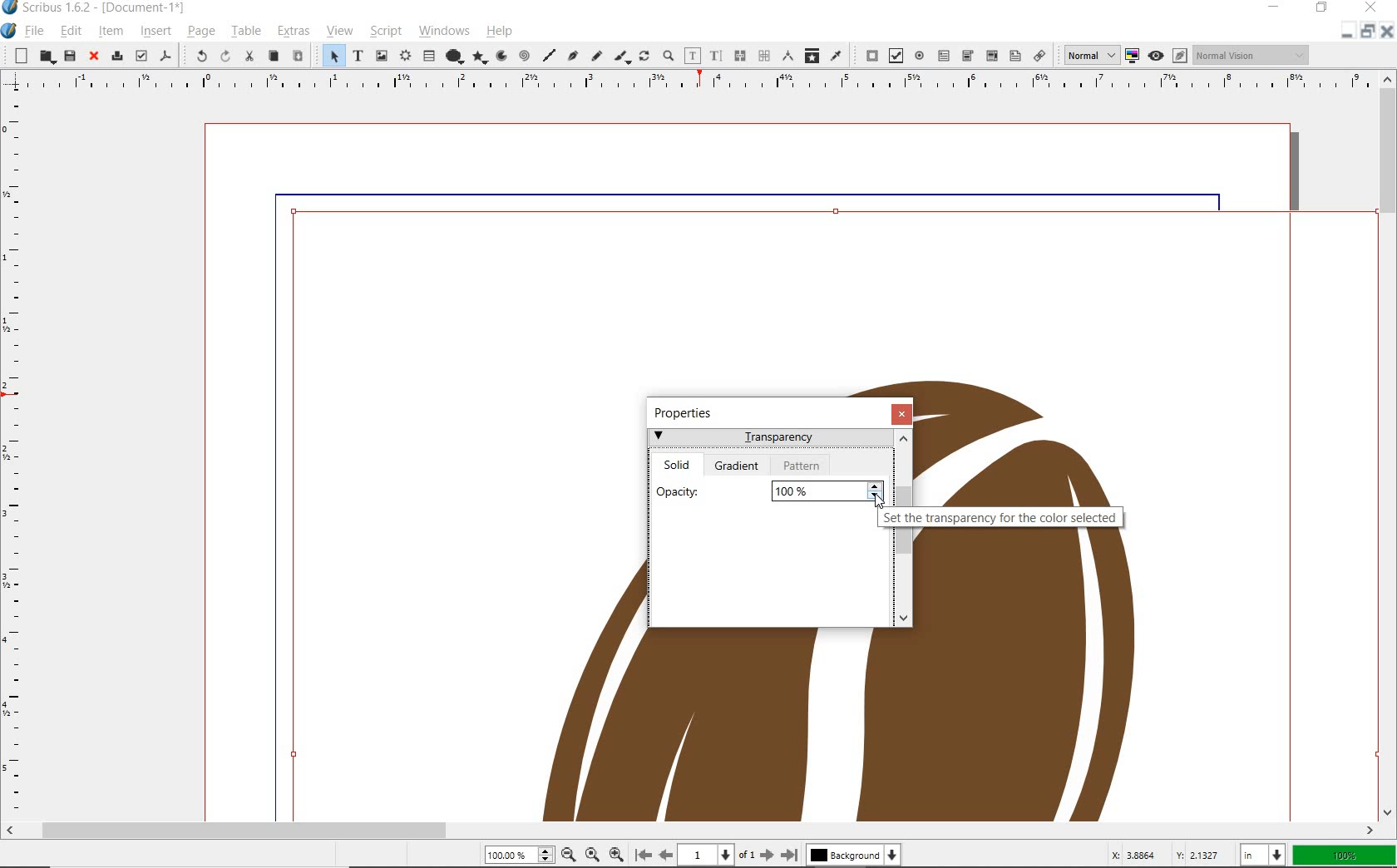 The height and width of the screenshot is (868, 1397). Describe the element at coordinates (1345, 857) in the screenshot. I see `zoom factor` at that location.